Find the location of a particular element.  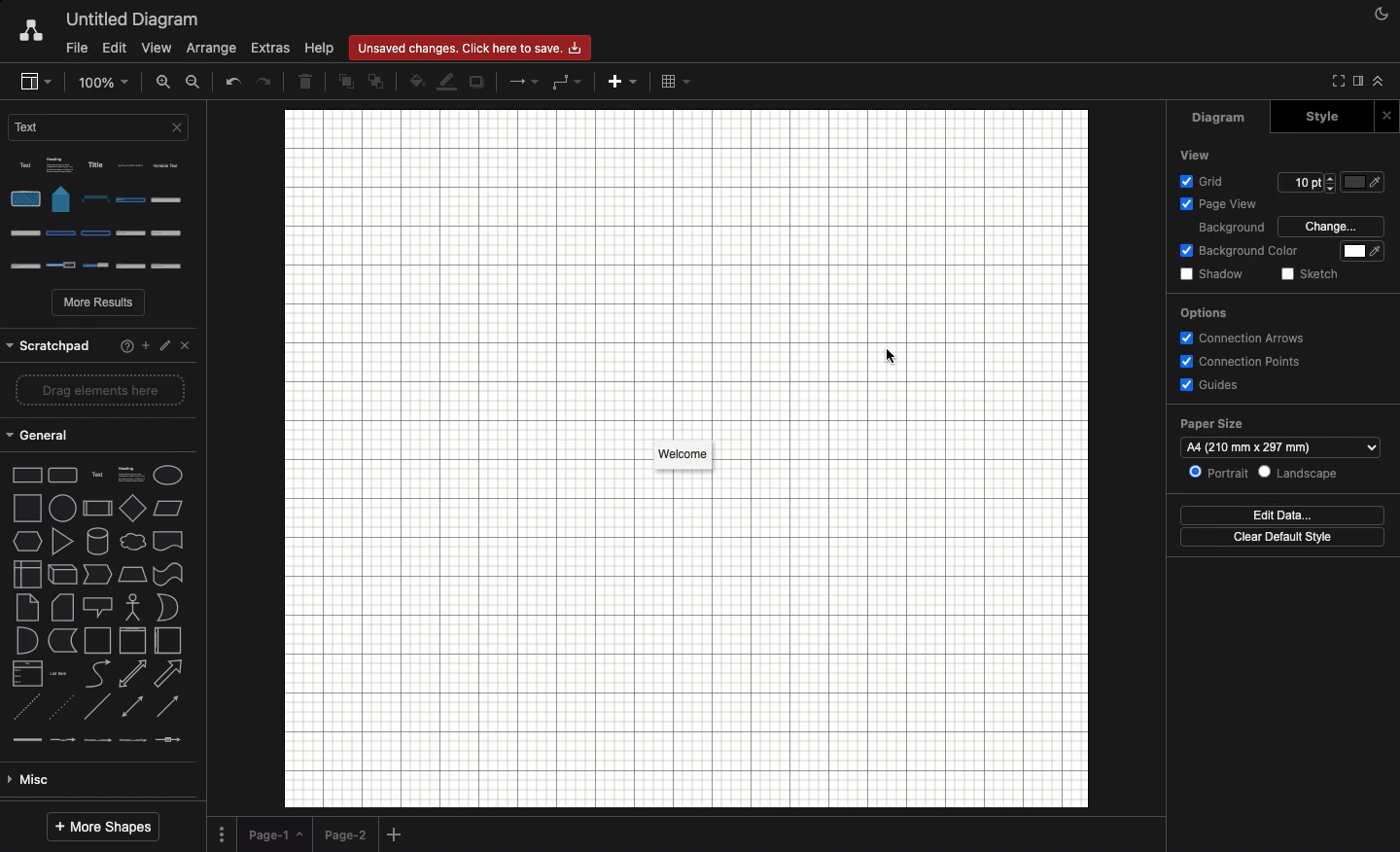

To back is located at coordinates (375, 81).